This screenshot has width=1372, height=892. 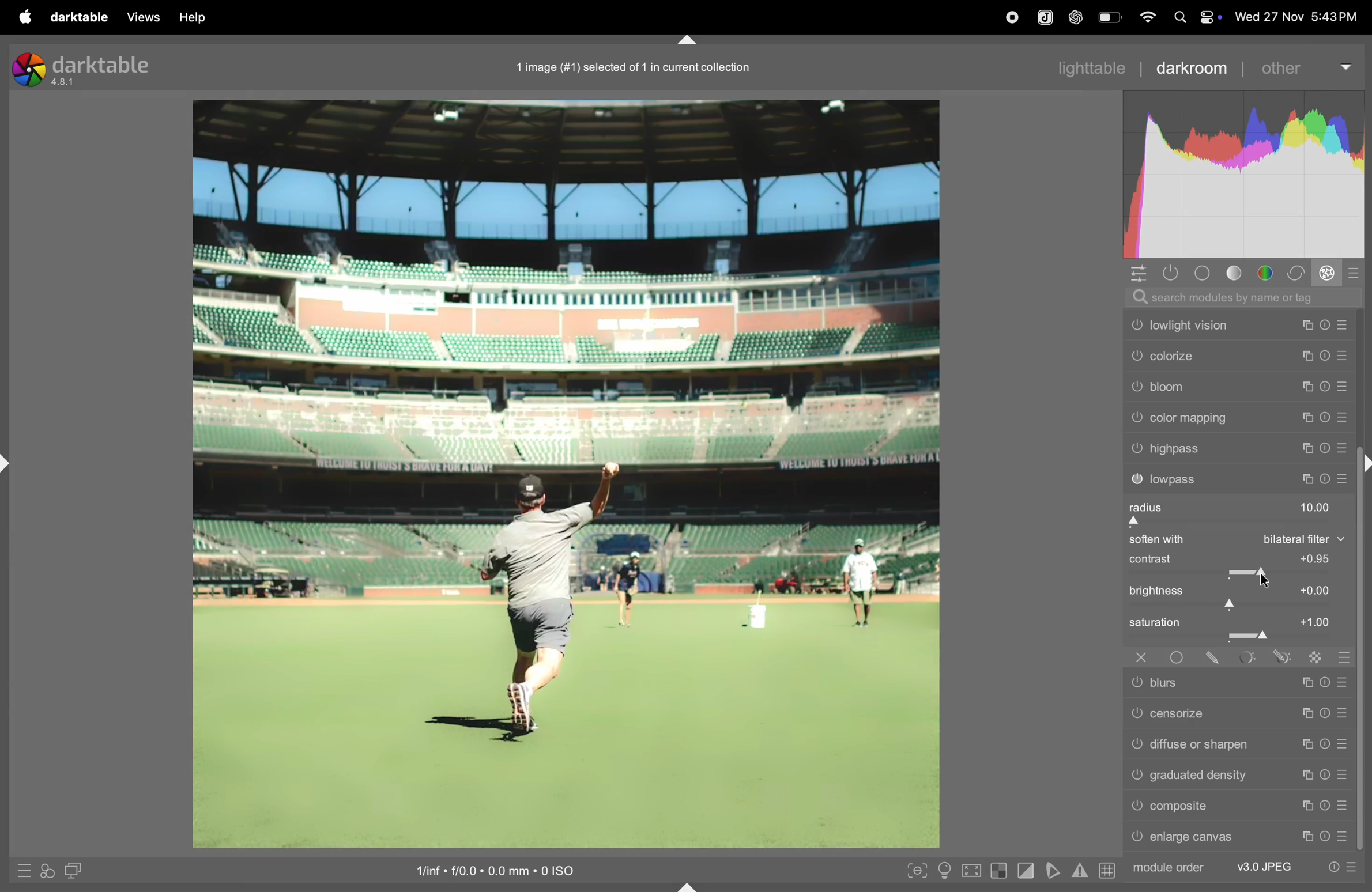 I want to click on brightness, so click(x=1235, y=598).